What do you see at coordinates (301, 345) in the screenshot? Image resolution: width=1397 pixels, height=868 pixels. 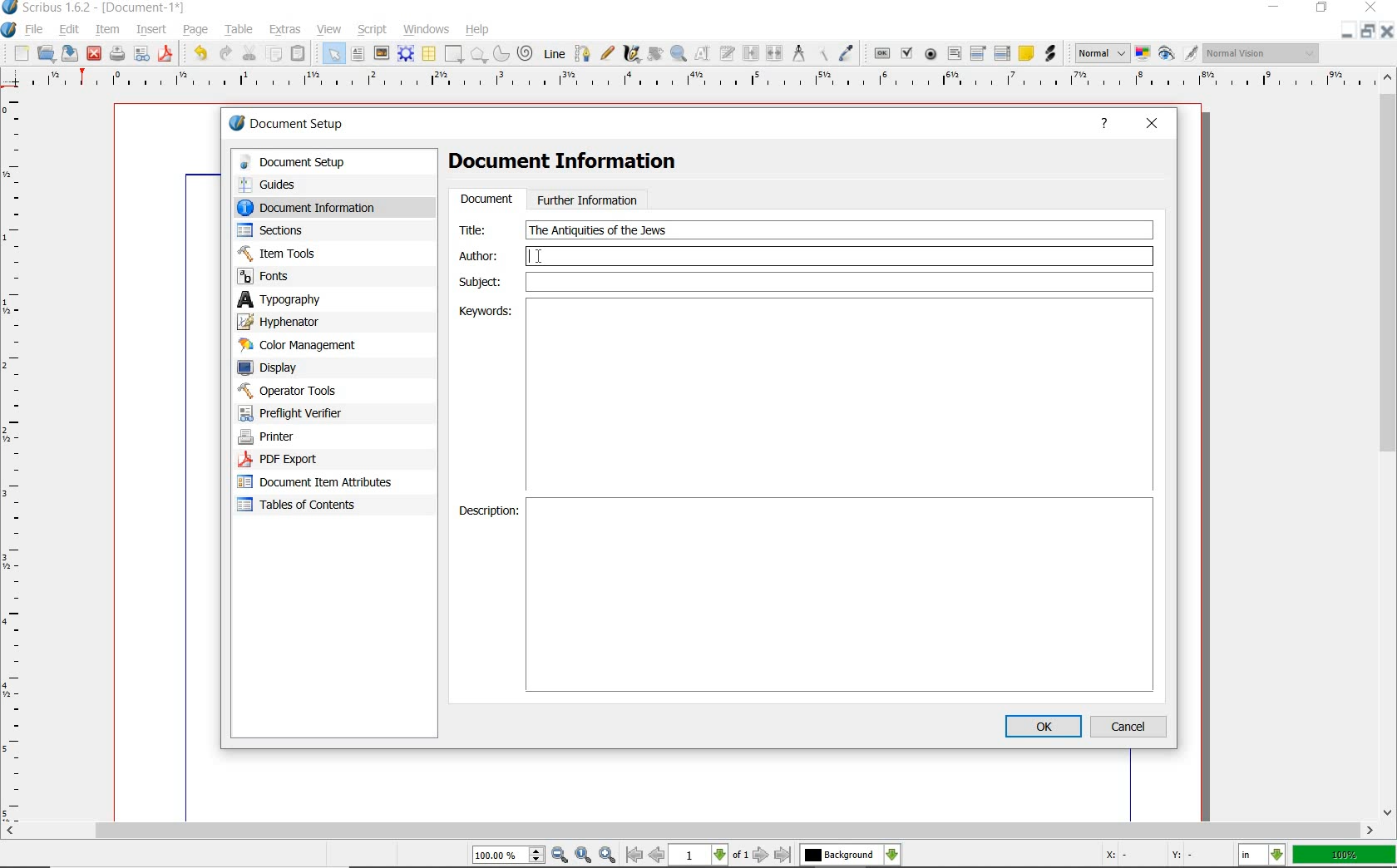 I see `color management` at bounding box center [301, 345].